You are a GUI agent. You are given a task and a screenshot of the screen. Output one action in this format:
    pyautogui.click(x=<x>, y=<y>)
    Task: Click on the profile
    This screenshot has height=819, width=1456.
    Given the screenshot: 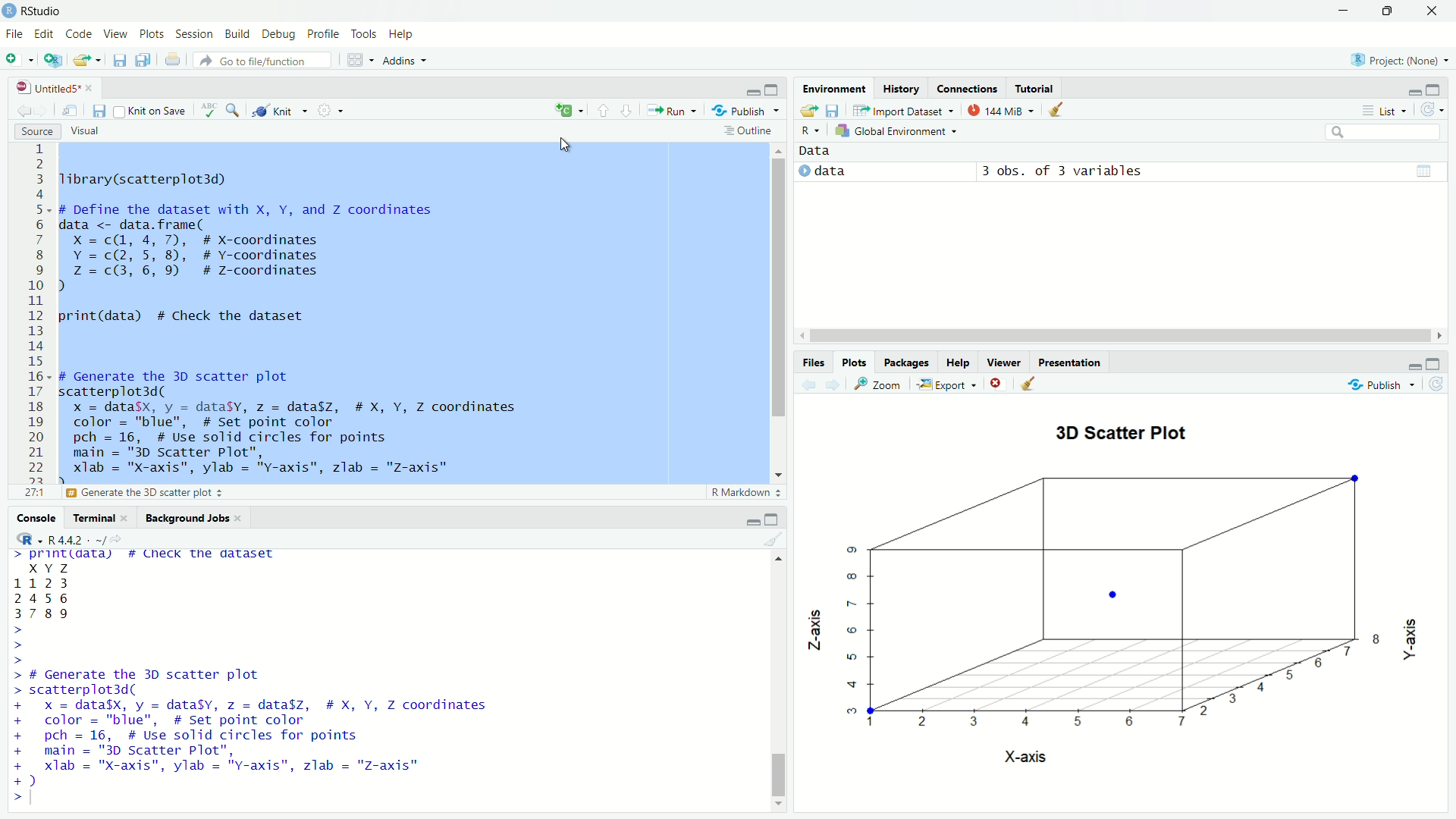 What is the action you would take?
    pyautogui.click(x=322, y=33)
    